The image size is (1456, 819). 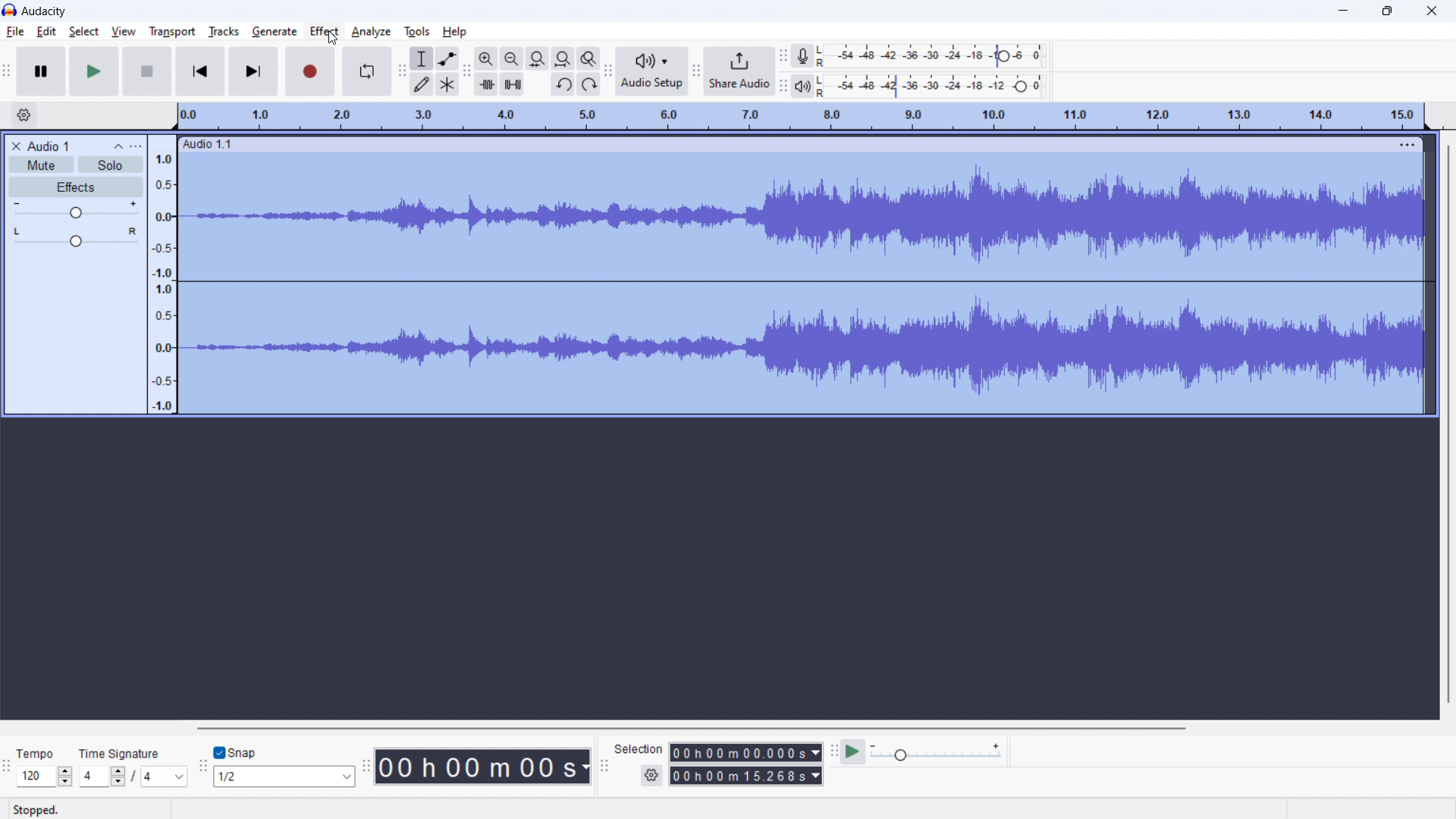 I want to click on solo, so click(x=111, y=164).